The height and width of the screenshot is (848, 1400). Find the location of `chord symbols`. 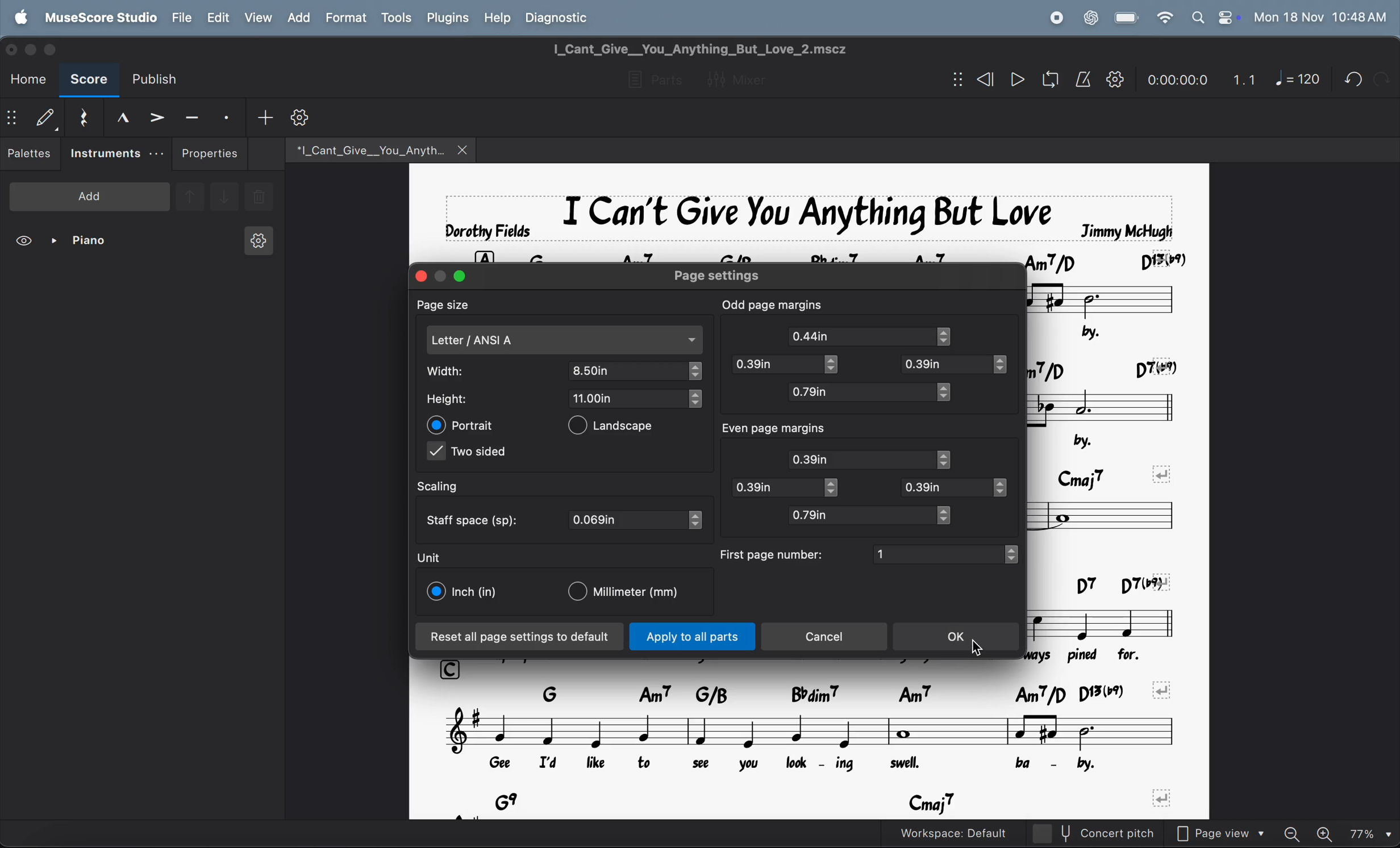

chord symbols is located at coordinates (856, 252).